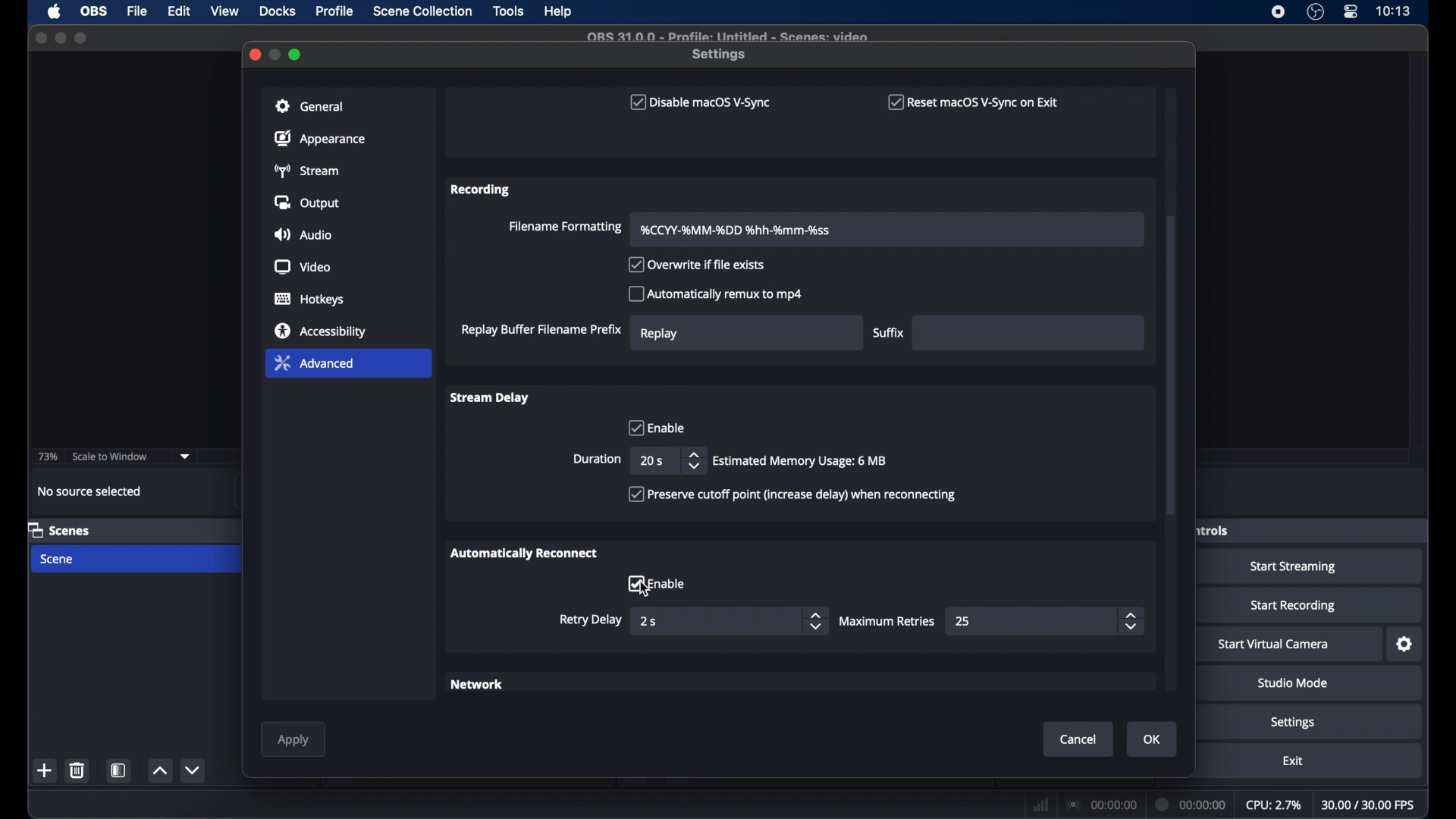 This screenshot has height=819, width=1456. What do you see at coordinates (720, 55) in the screenshot?
I see `settings` at bounding box center [720, 55].